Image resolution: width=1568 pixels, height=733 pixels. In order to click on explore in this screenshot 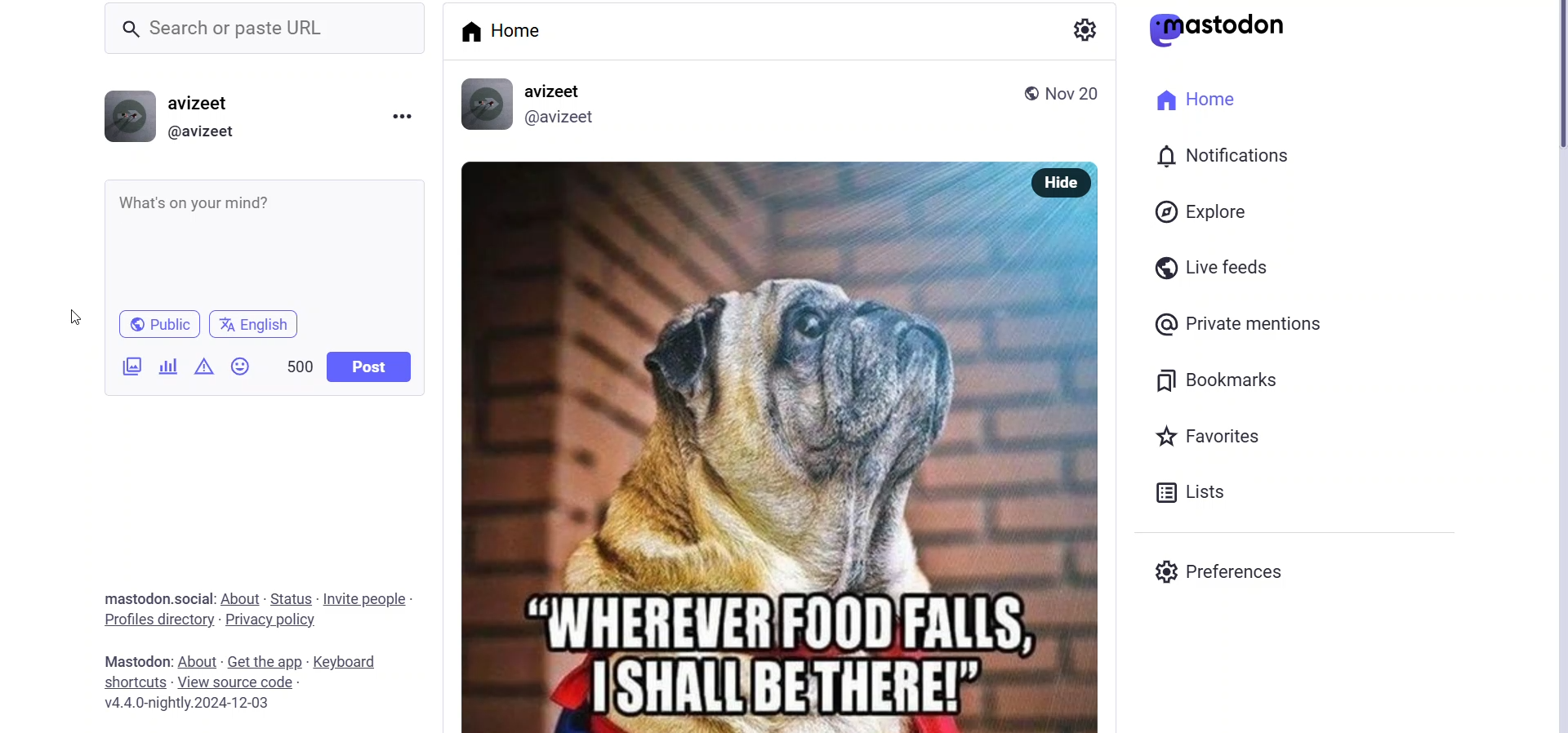, I will do `click(1200, 212)`.